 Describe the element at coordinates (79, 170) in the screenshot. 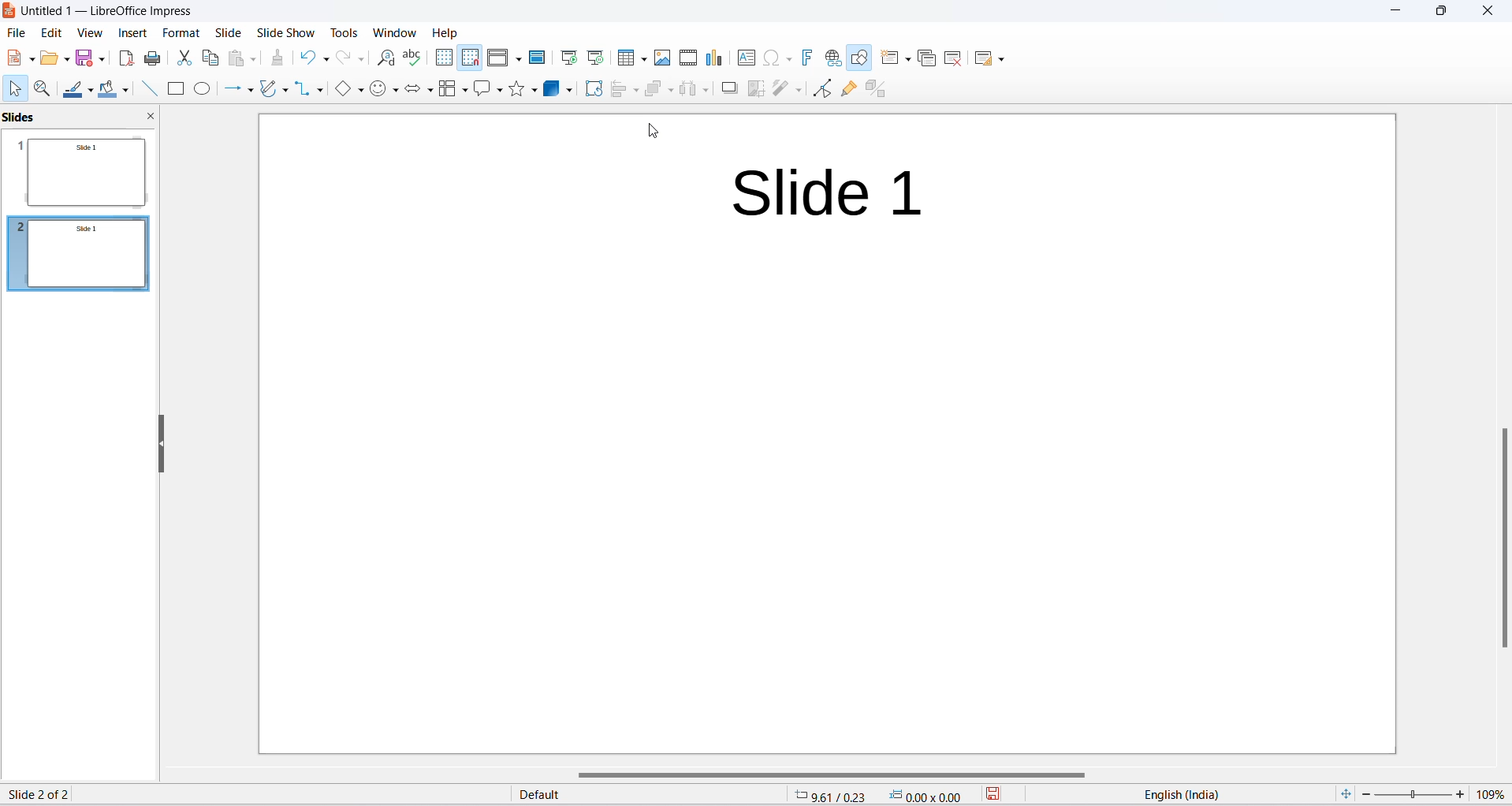

I see `Slide 1` at that location.